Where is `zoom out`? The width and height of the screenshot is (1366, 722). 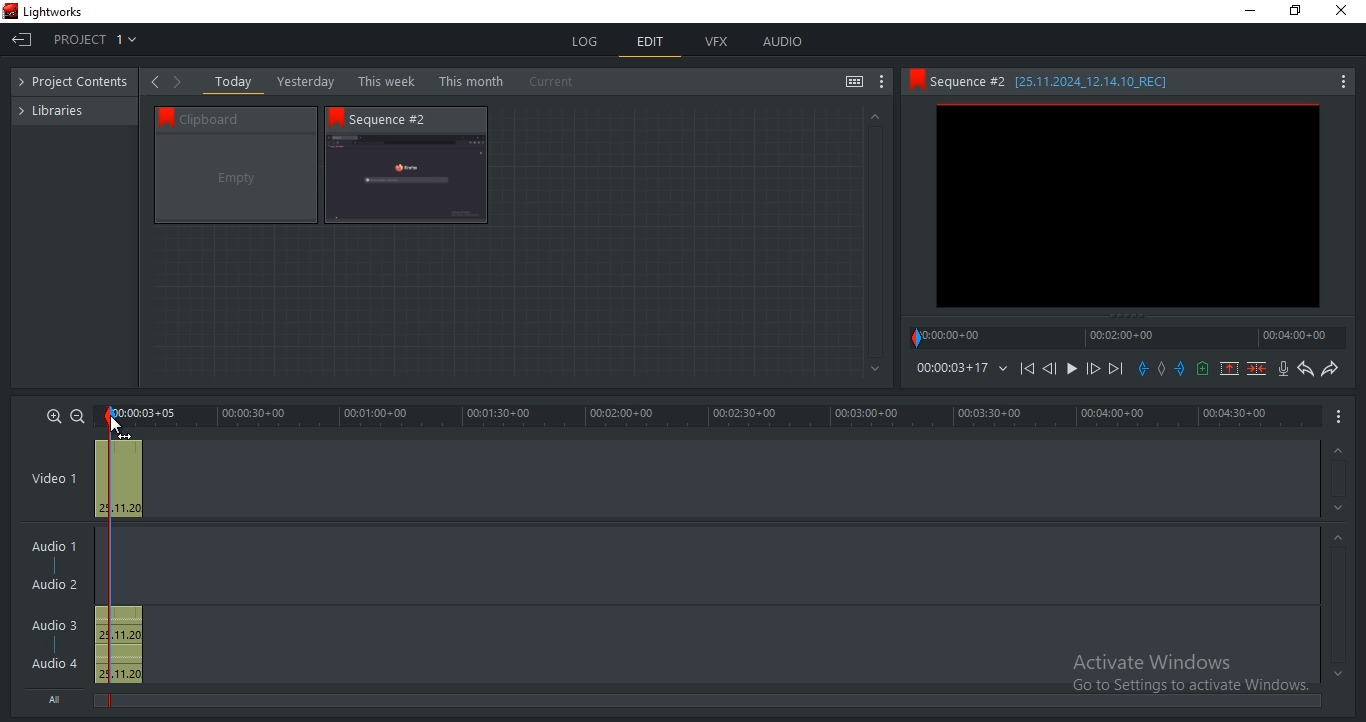 zoom out is located at coordinates (77, 416).